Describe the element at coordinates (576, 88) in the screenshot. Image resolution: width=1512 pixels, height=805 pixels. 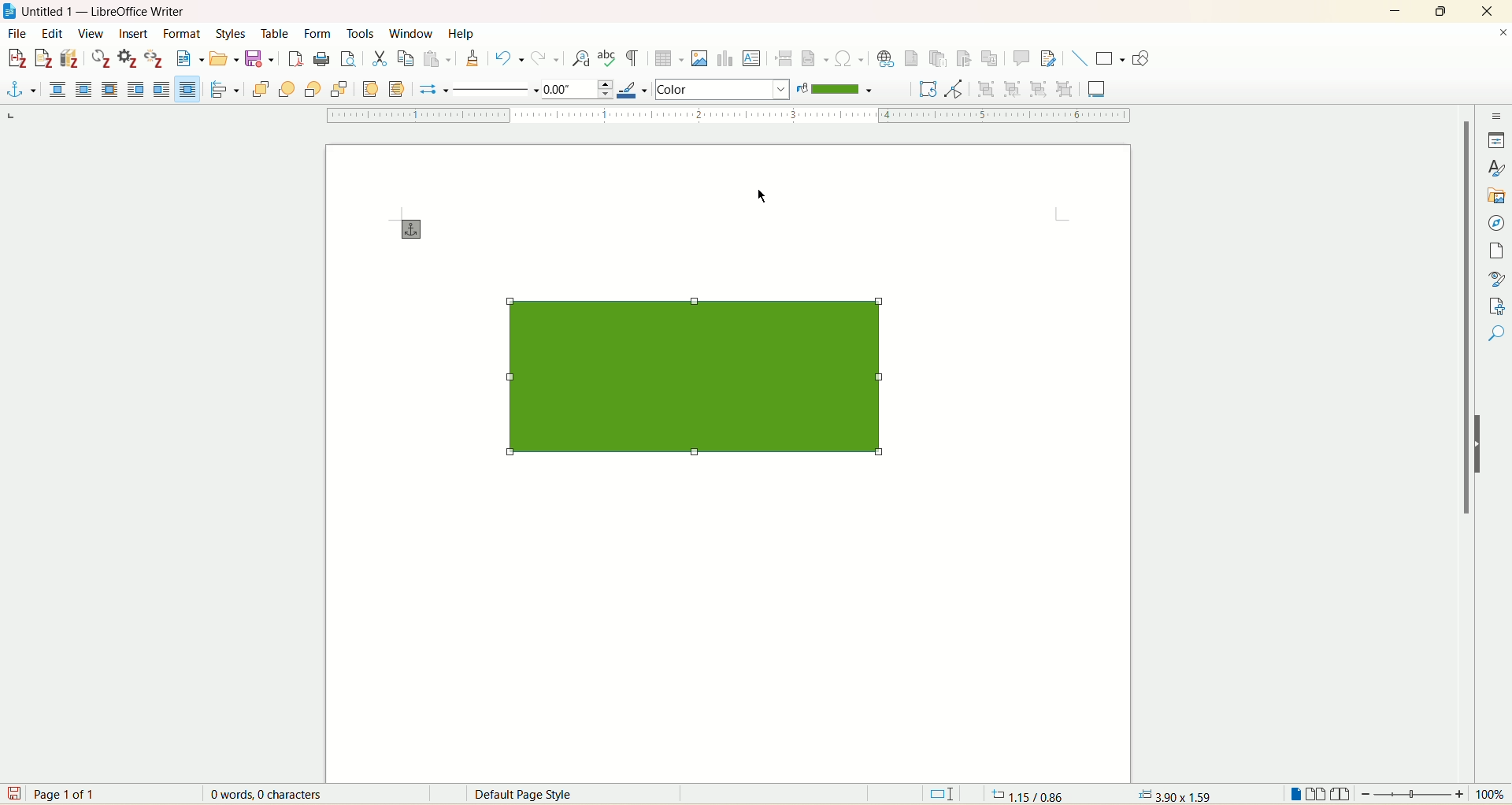
I see `line thickness` at that location.